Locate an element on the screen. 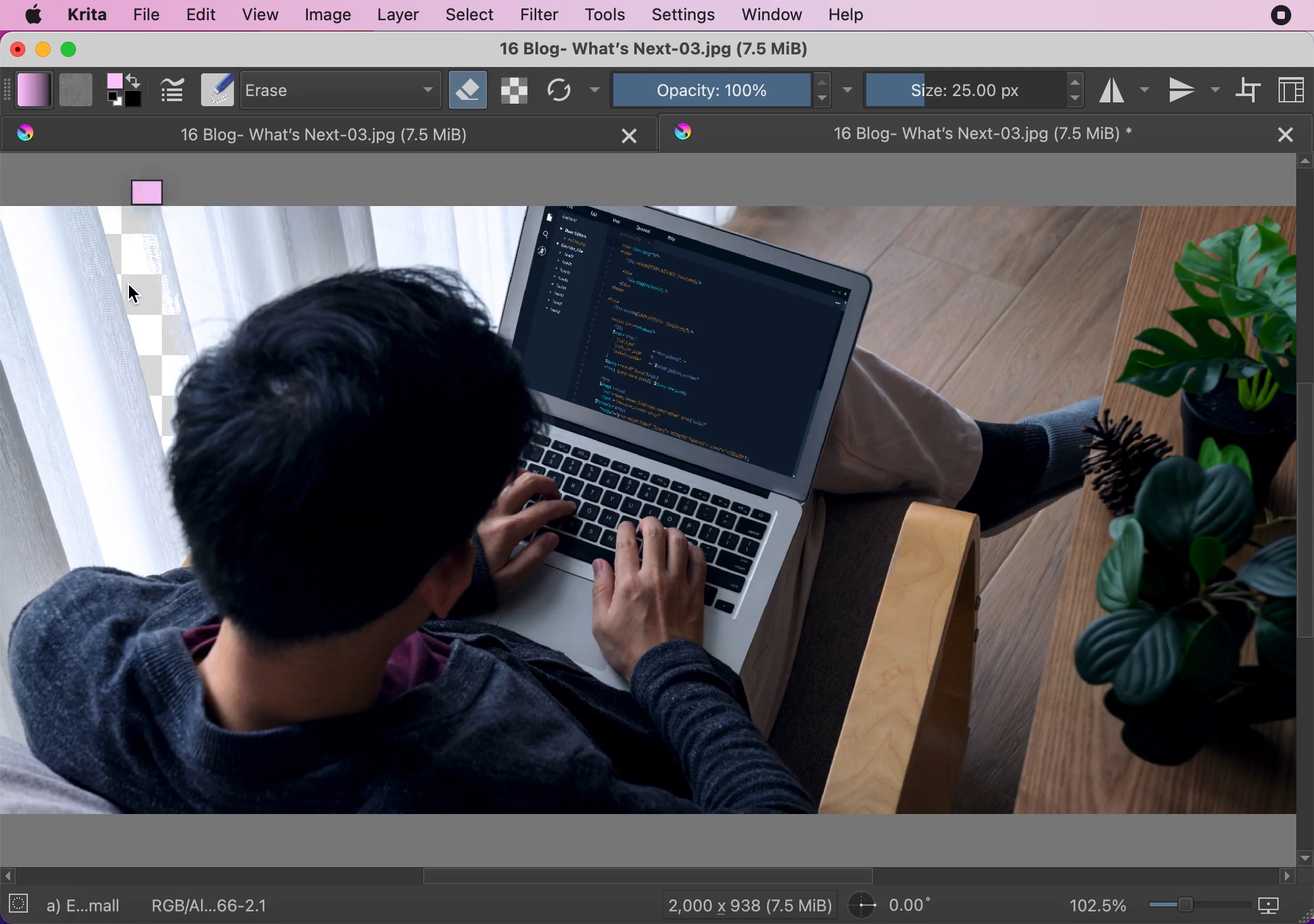 This screenshot has height=924, width=1314. maximize is located at coordinates (75, 50).